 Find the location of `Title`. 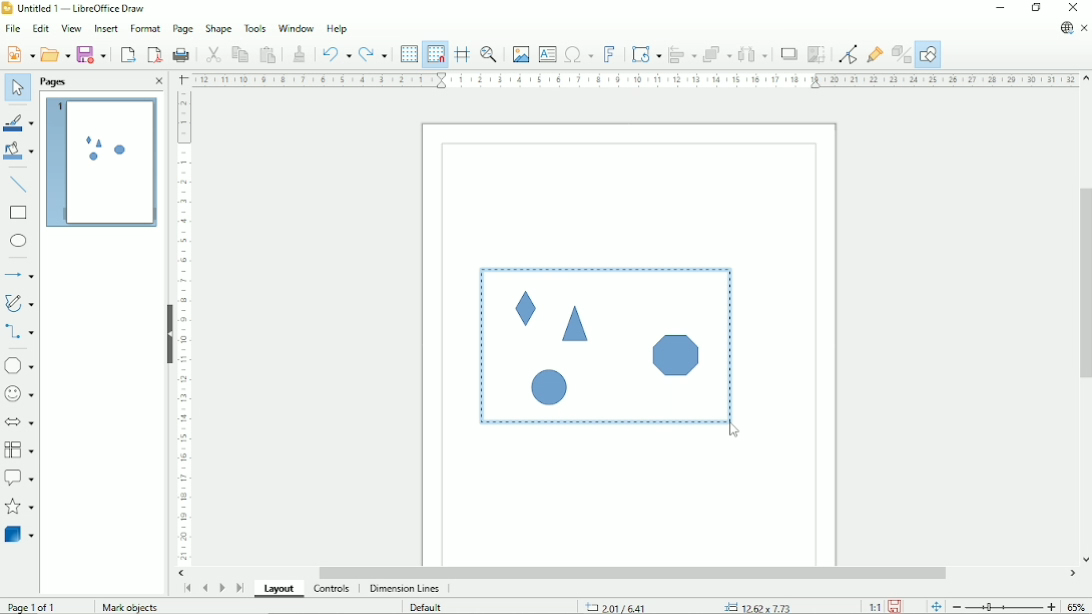

Title is located at coordinates (78, 9).